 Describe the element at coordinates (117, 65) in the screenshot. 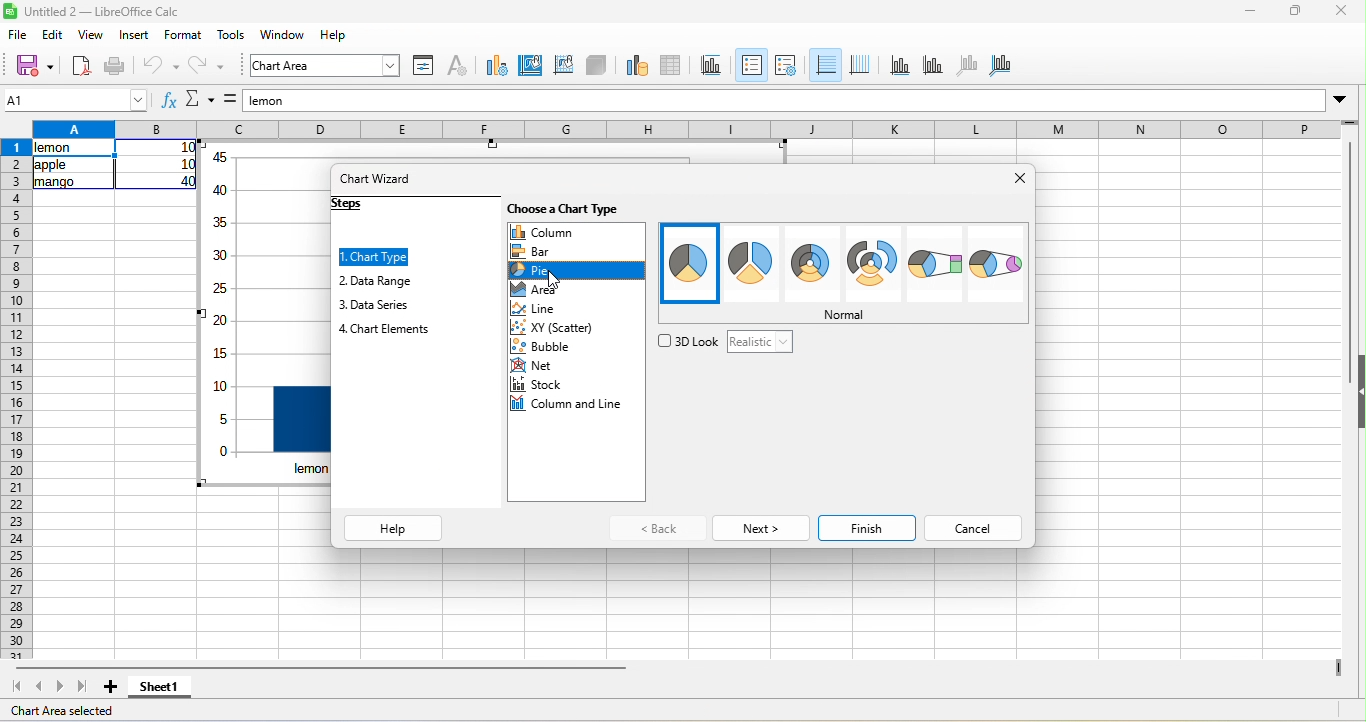

I see `print` at that location.